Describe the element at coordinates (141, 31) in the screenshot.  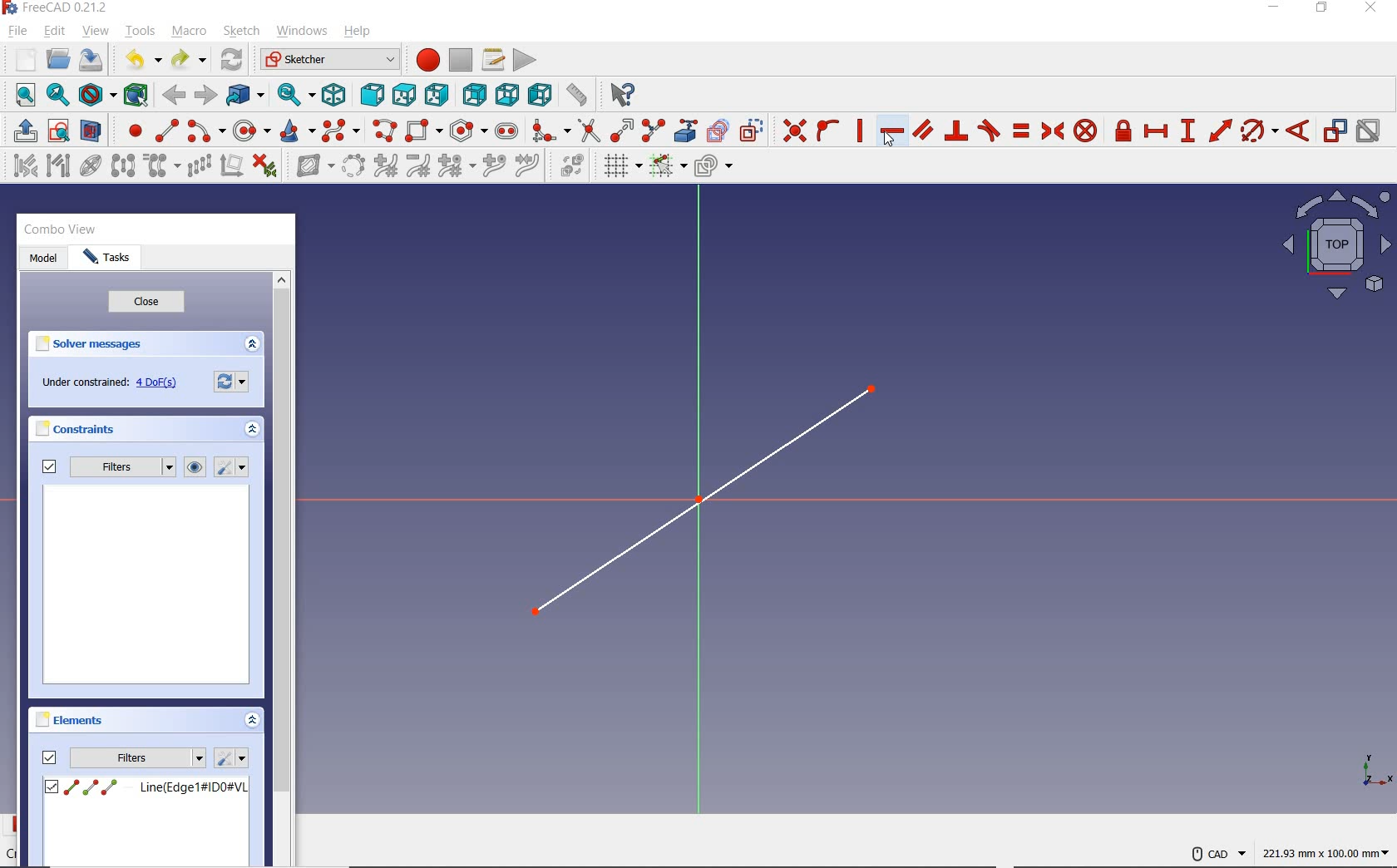
I see `TOOLS` at that location.